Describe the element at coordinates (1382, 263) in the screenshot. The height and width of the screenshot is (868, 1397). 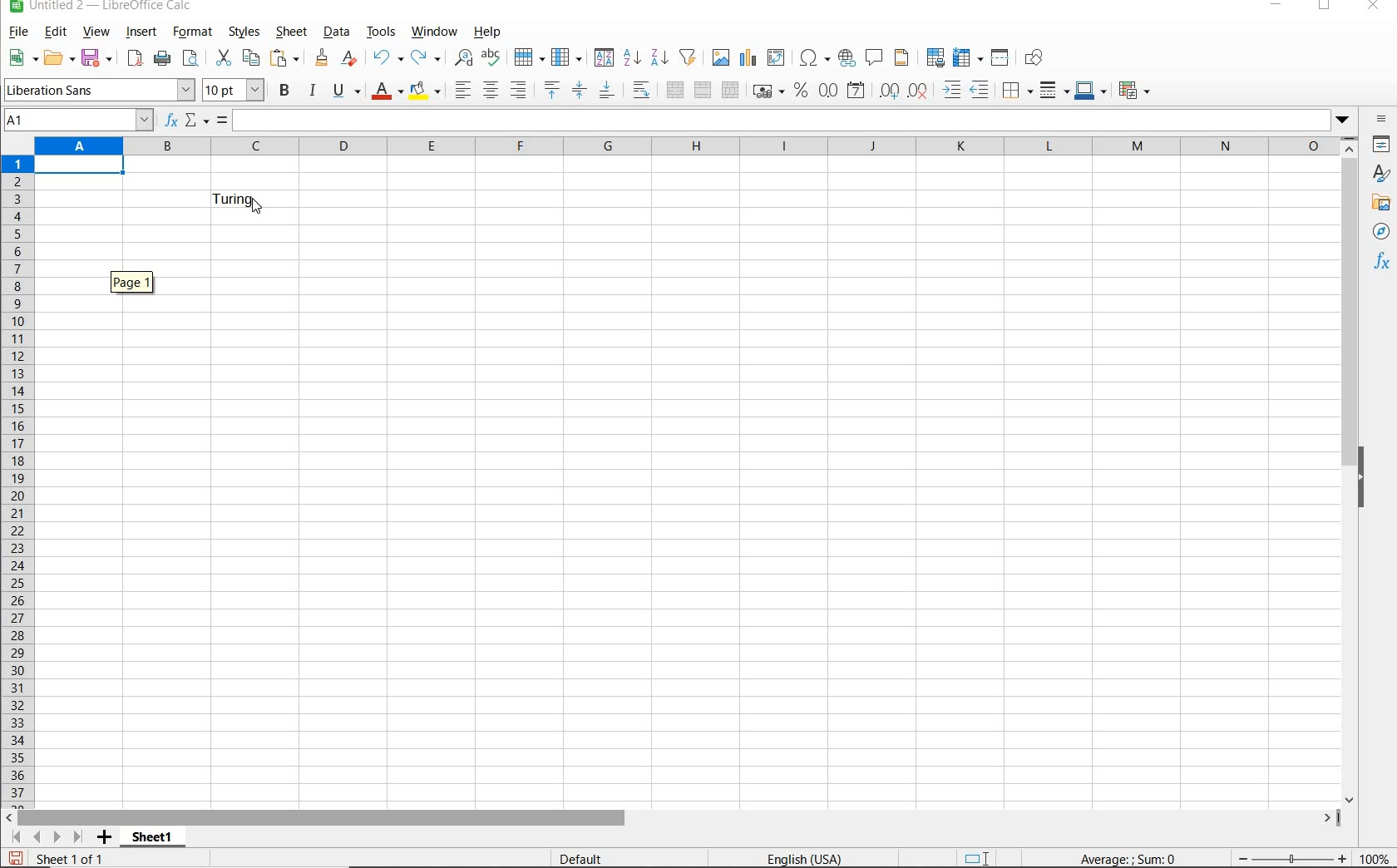
I see `FUNCTIONS` at that location.